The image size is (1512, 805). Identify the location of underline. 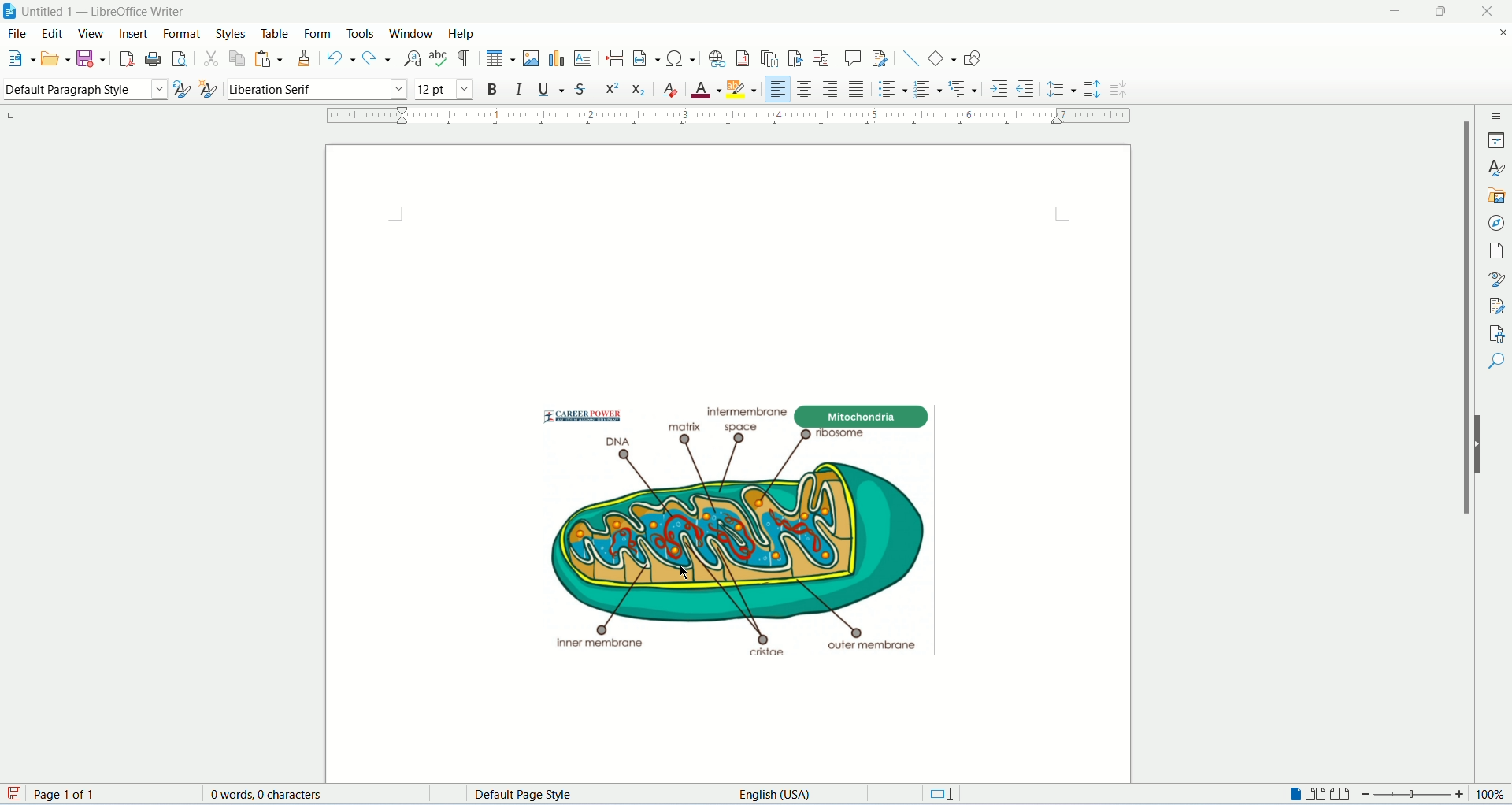
(550, 90).